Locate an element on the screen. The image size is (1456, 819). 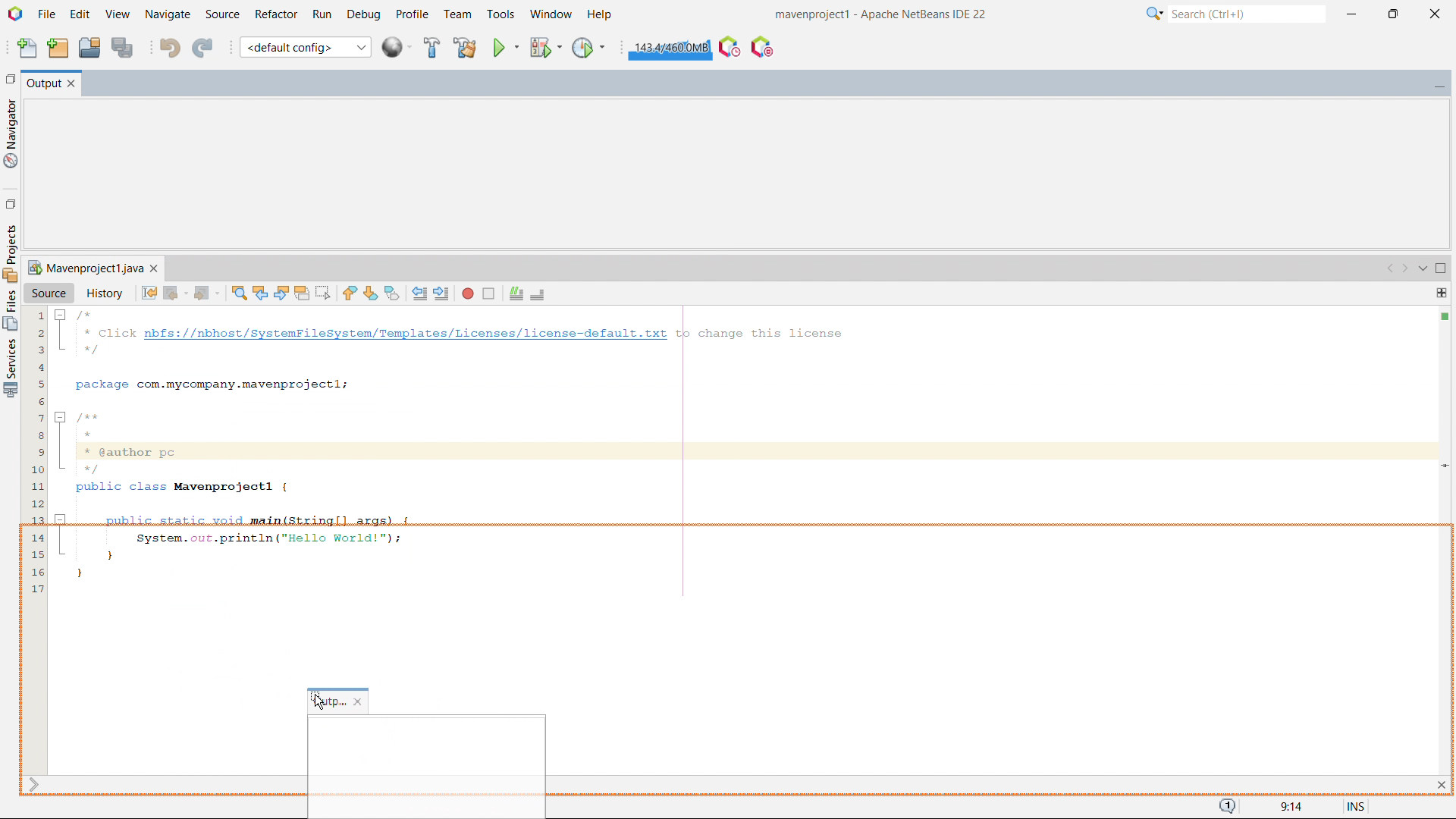
searchbox is located at coordinates (1247, 14).